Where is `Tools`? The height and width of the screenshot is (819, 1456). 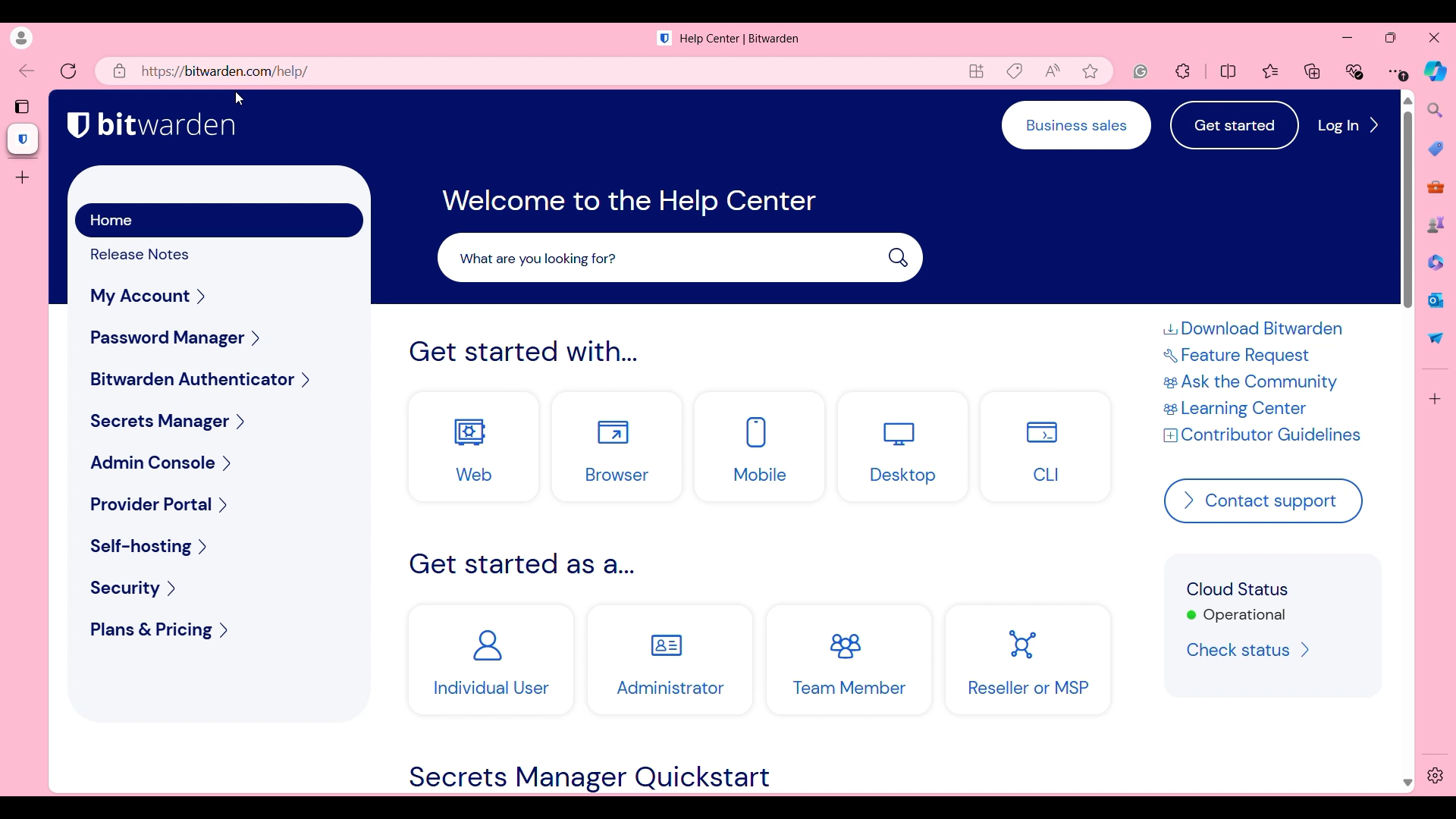
Tools is located at coordinates (1436, 187).